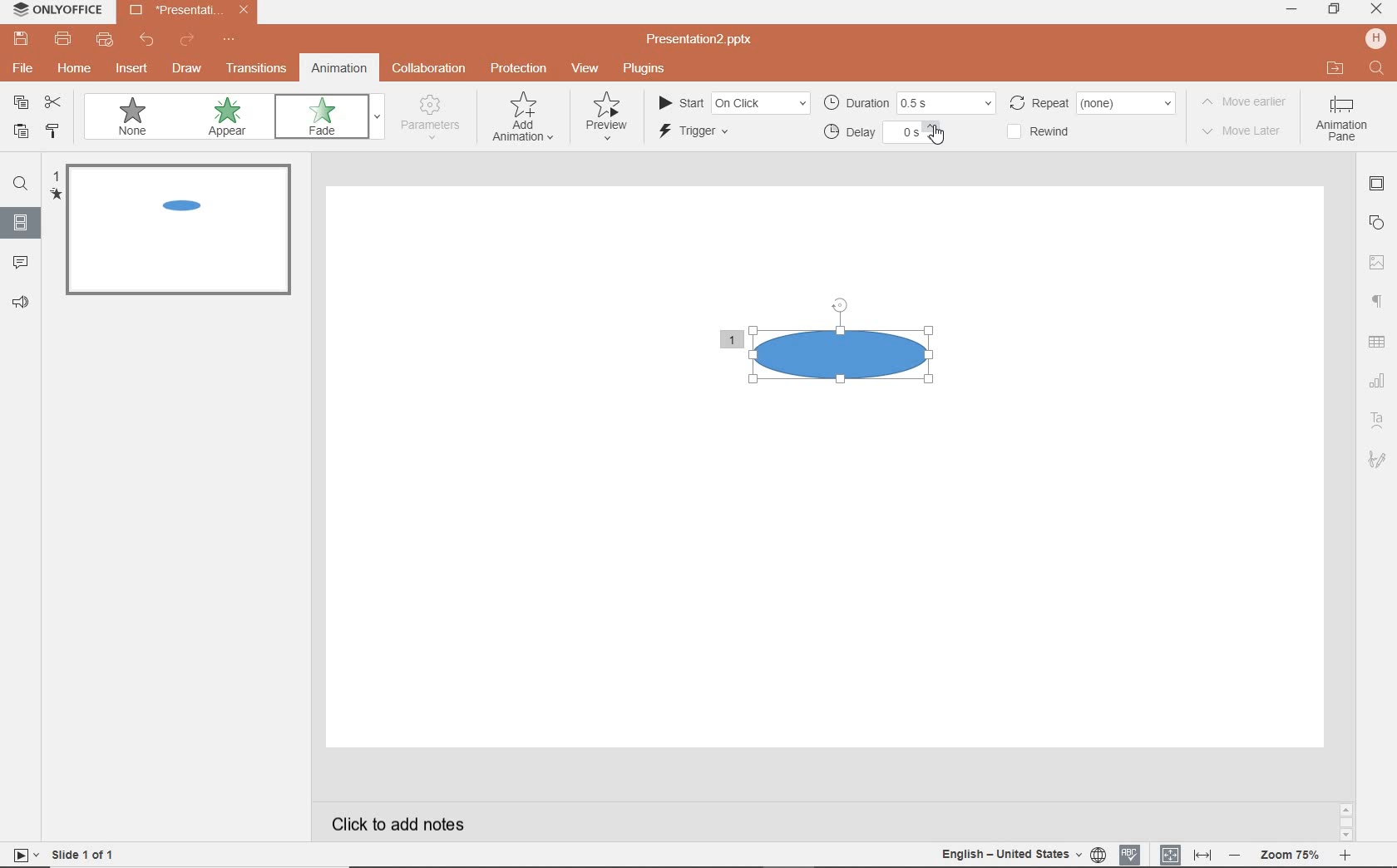 The width and height of the screenshot is (1397, 868). I want to click on Presentation2.pptx, so click(188, 12).